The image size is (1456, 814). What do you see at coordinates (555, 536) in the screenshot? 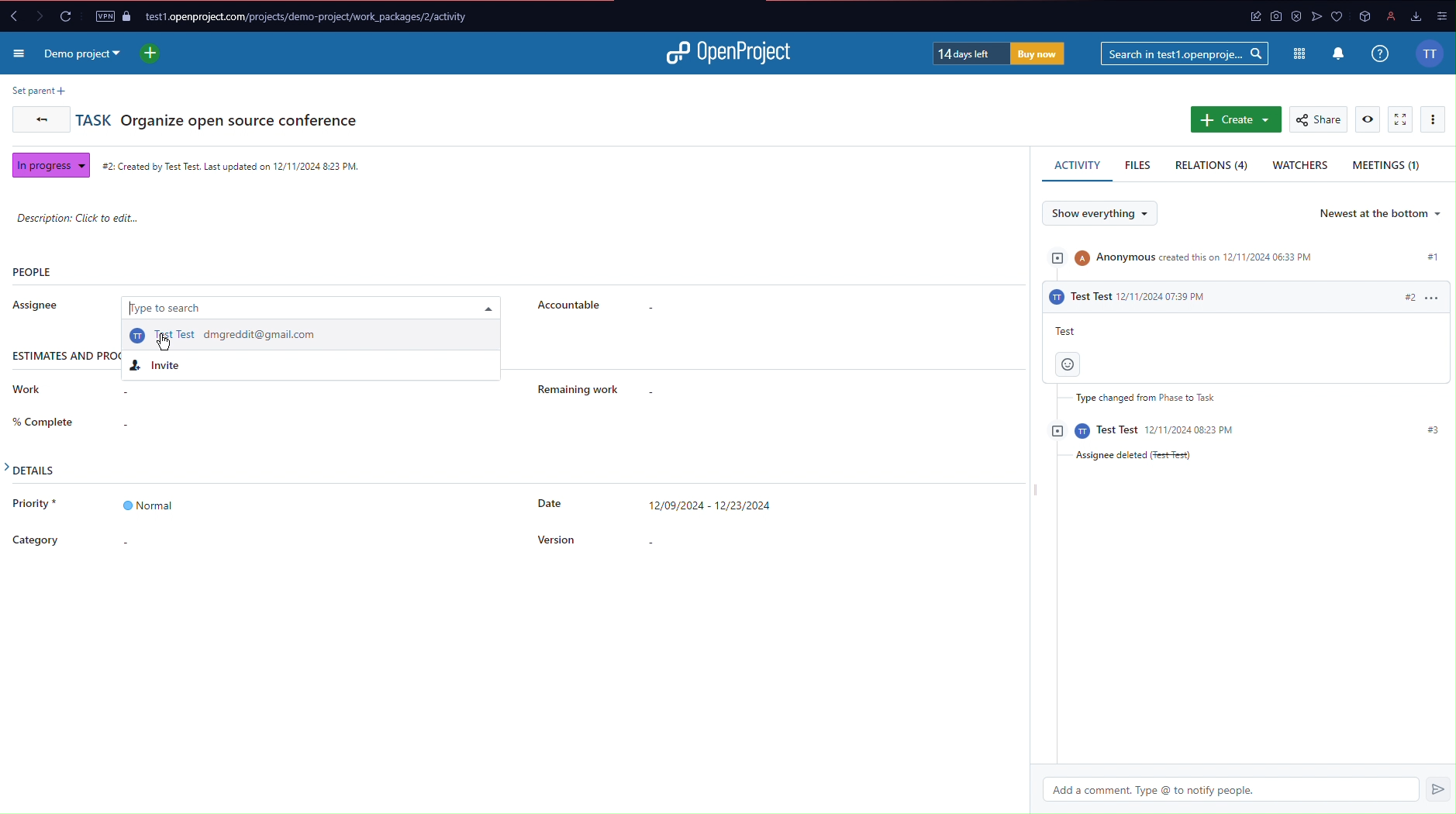
I see `Version` at bounding box center [555, 536].